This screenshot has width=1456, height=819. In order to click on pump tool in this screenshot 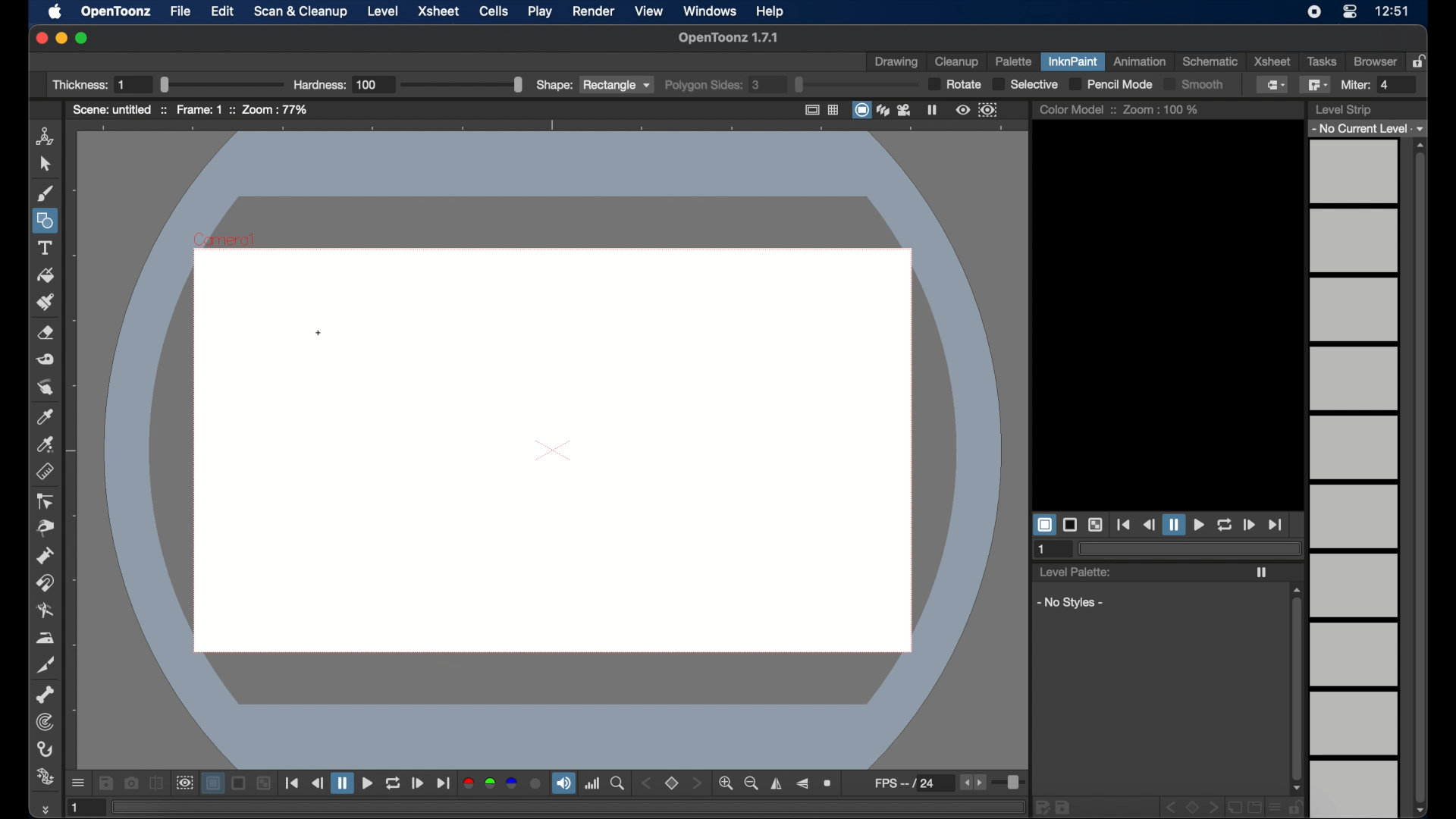, I will do `click(45, 556)`.